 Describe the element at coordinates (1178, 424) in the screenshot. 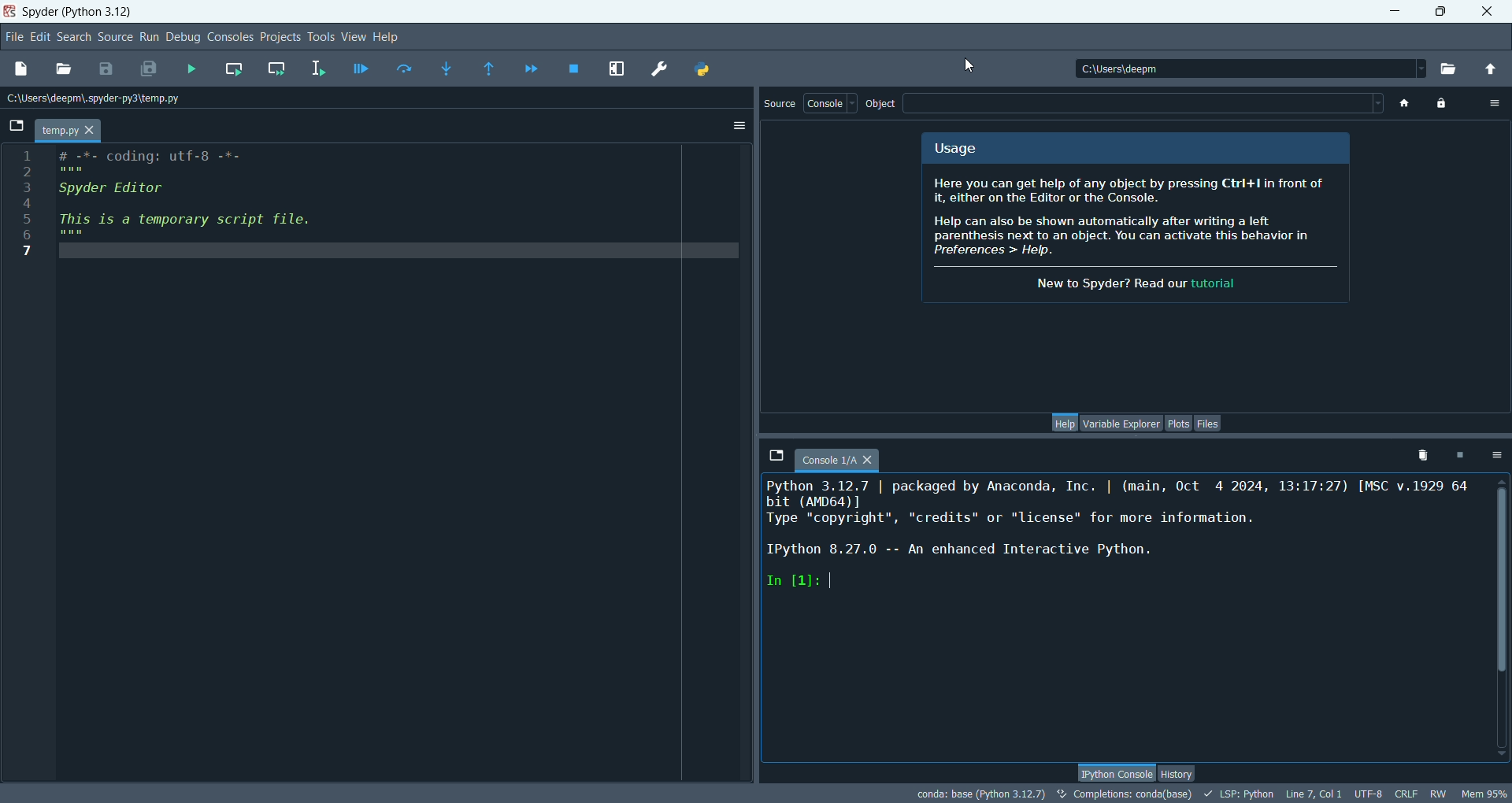

I see `plots` at that location.